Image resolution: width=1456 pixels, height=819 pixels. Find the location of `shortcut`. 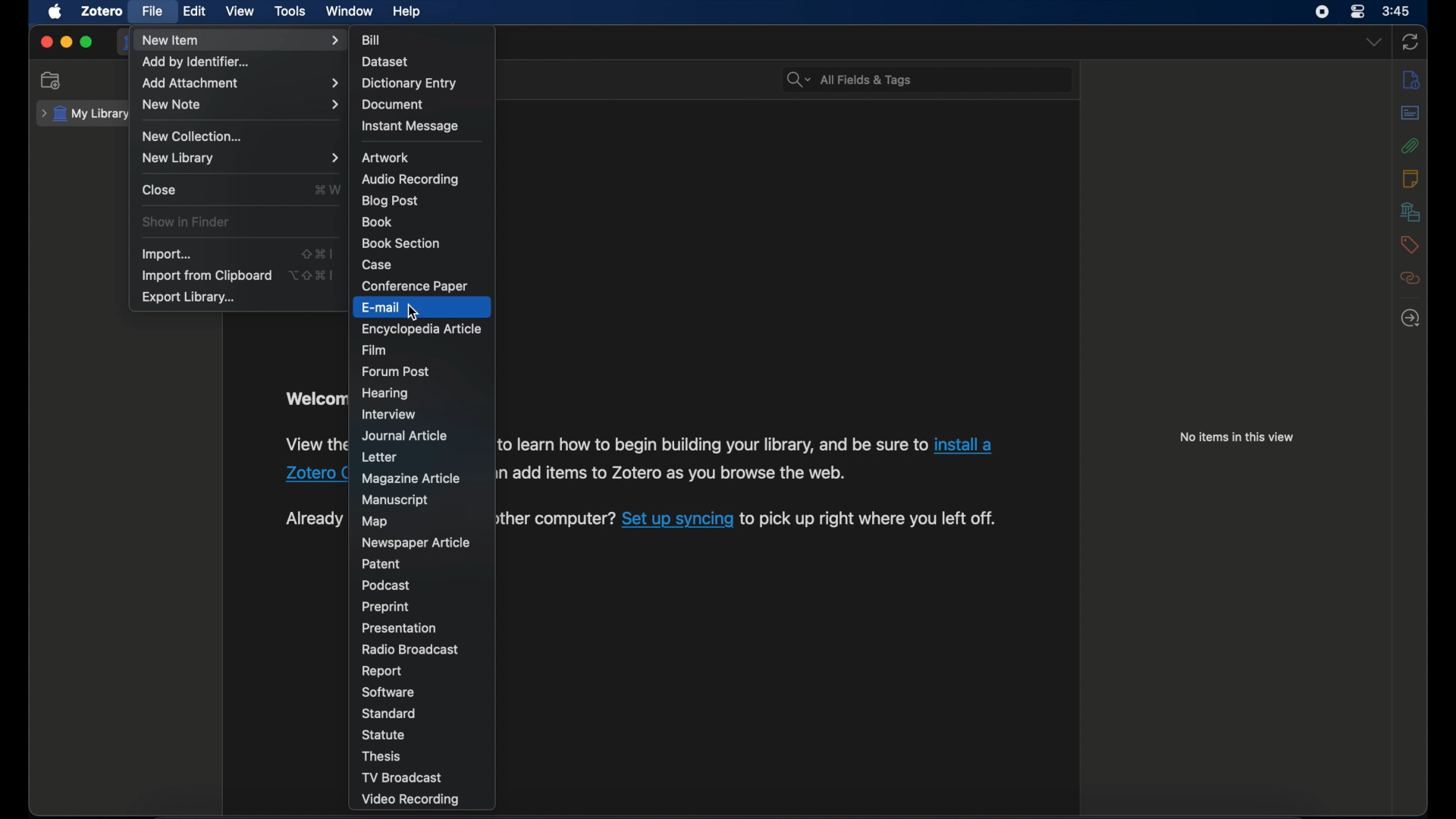

shortcut is located at coordinates (319, 253).